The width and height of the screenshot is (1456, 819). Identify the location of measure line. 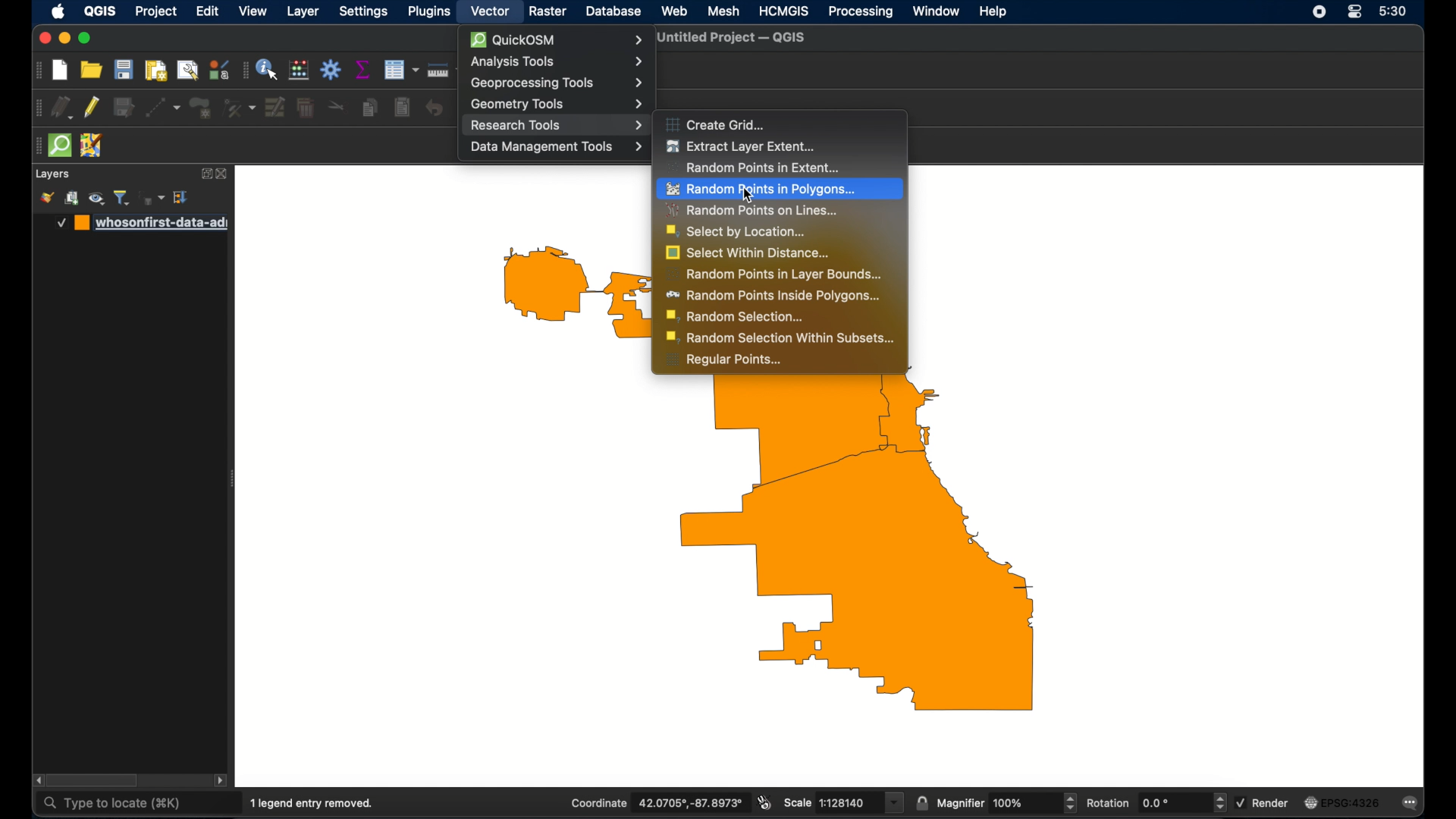
(444, 71).